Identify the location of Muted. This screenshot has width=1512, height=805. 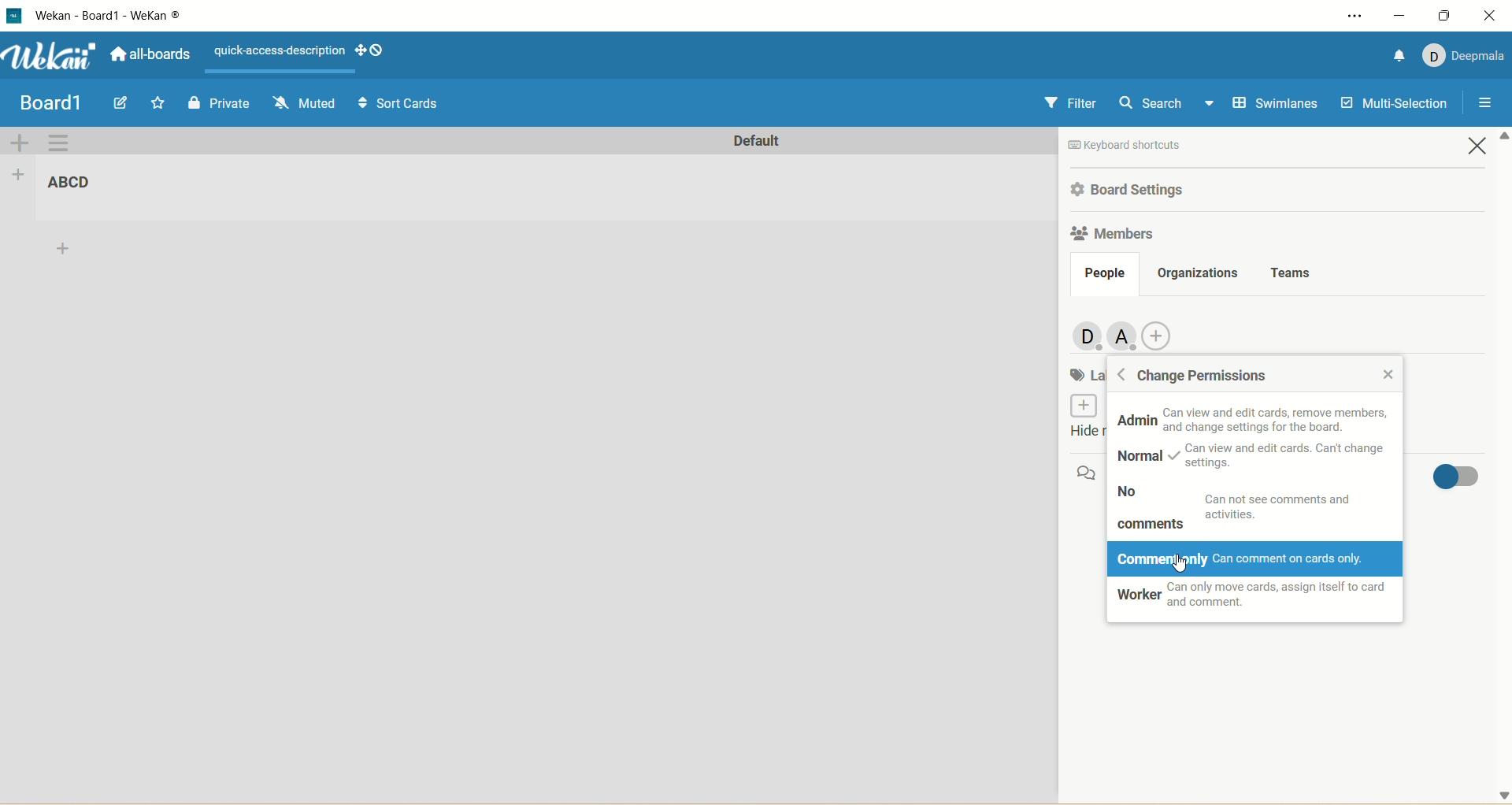
(303, 101).